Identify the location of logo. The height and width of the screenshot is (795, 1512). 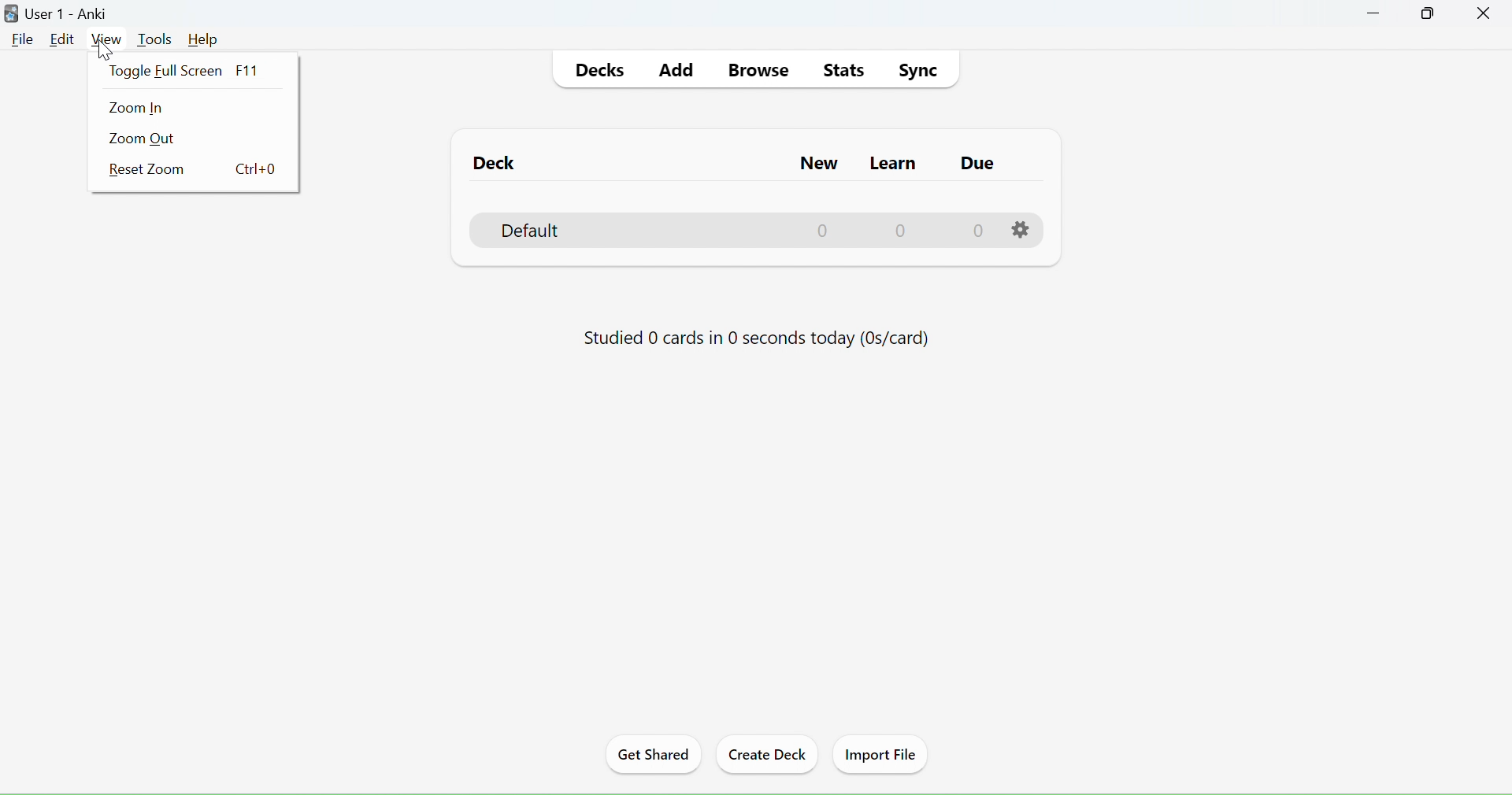
(12, 14).